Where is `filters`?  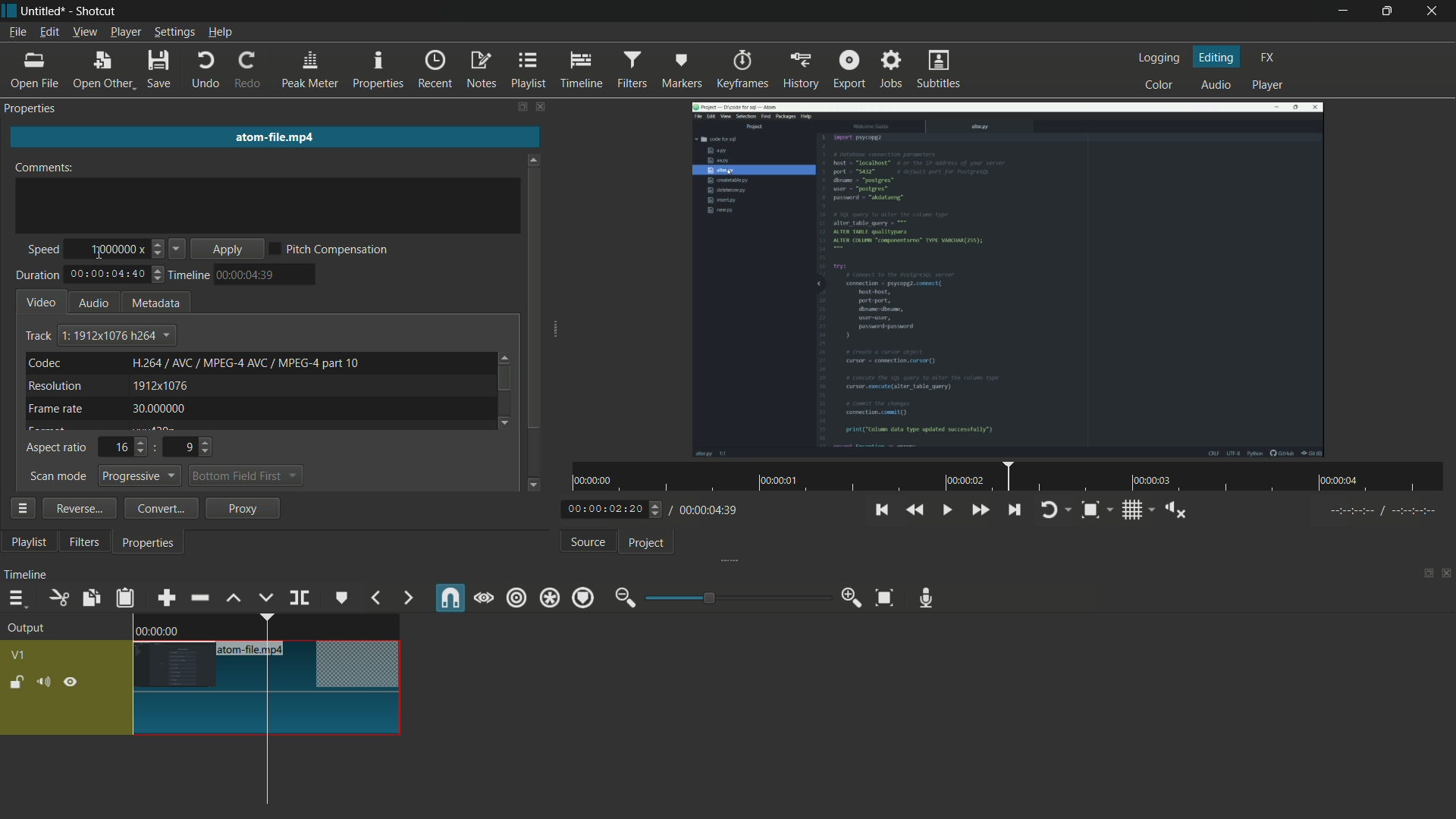
filters is located at coordinates (87, 543).